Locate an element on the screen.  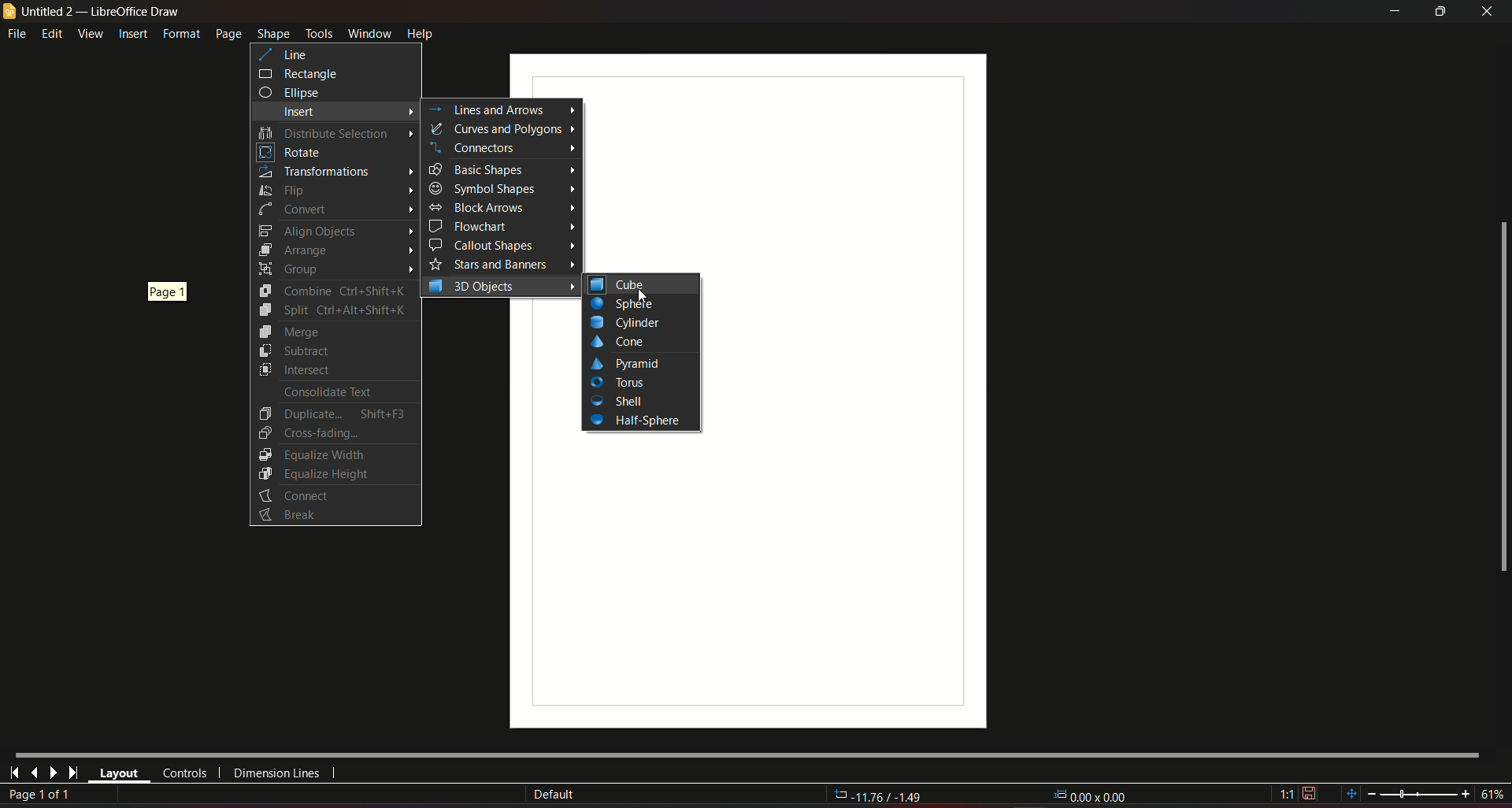
Split is located at coordinates (332, 309).